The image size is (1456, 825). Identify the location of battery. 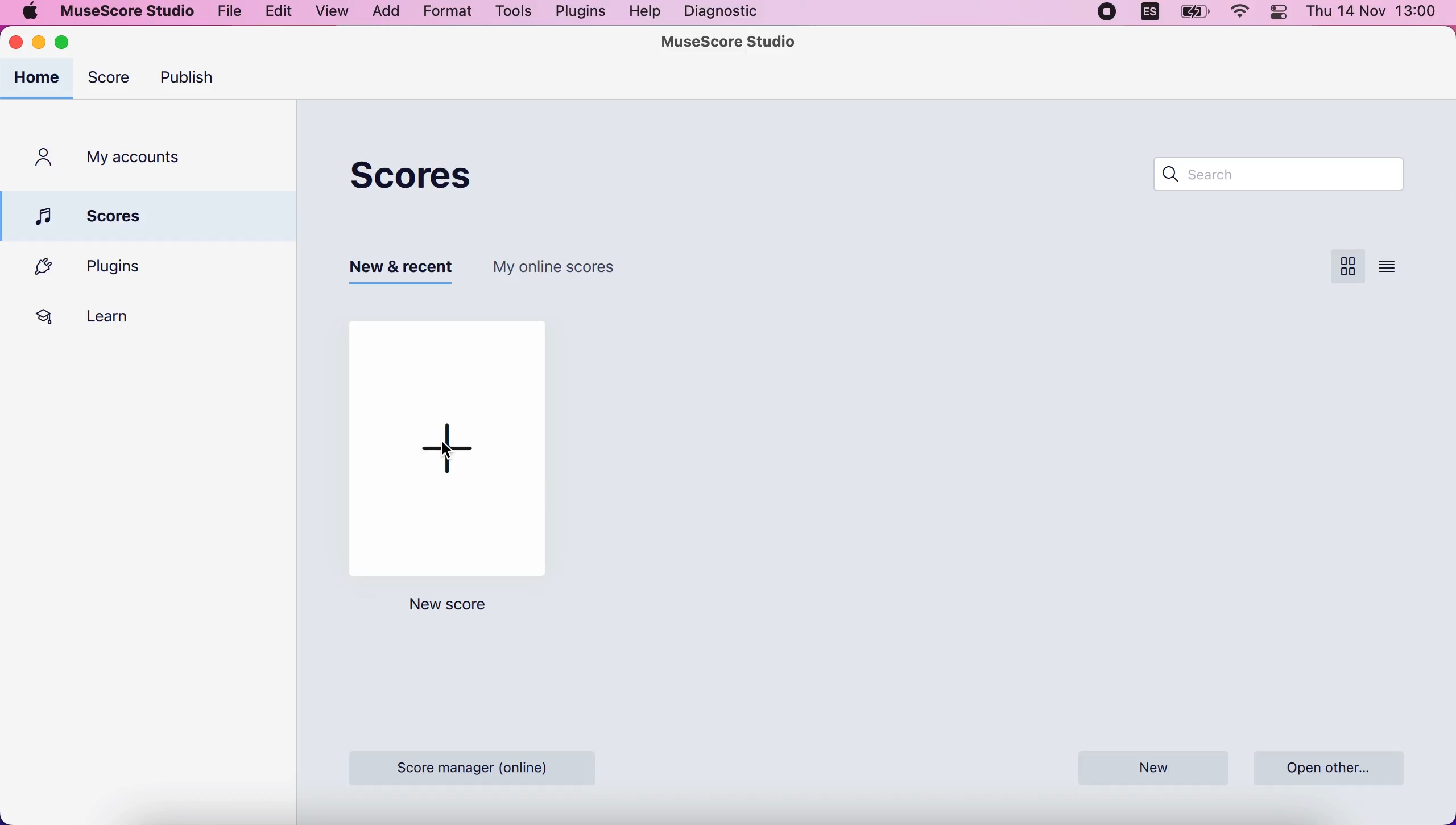
(1195, 16).